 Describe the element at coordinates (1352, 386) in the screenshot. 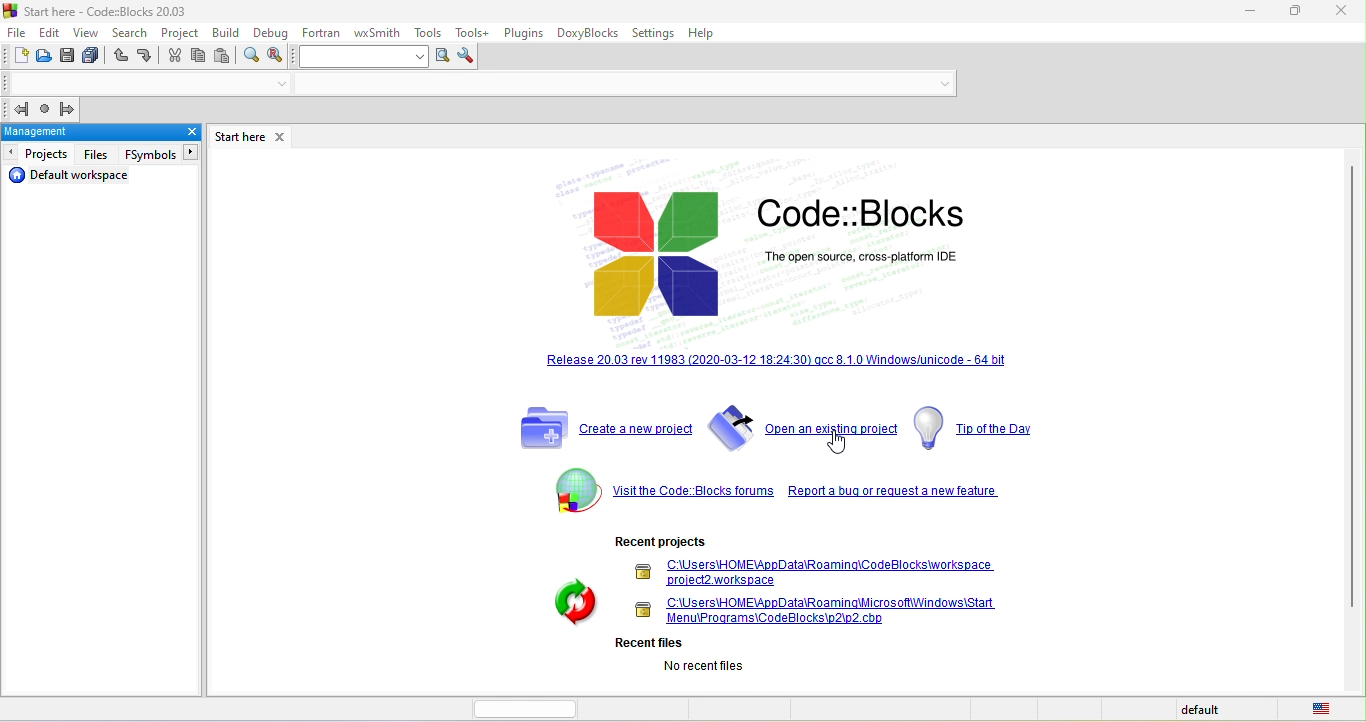

I see `vertical scroll bar` at that location.